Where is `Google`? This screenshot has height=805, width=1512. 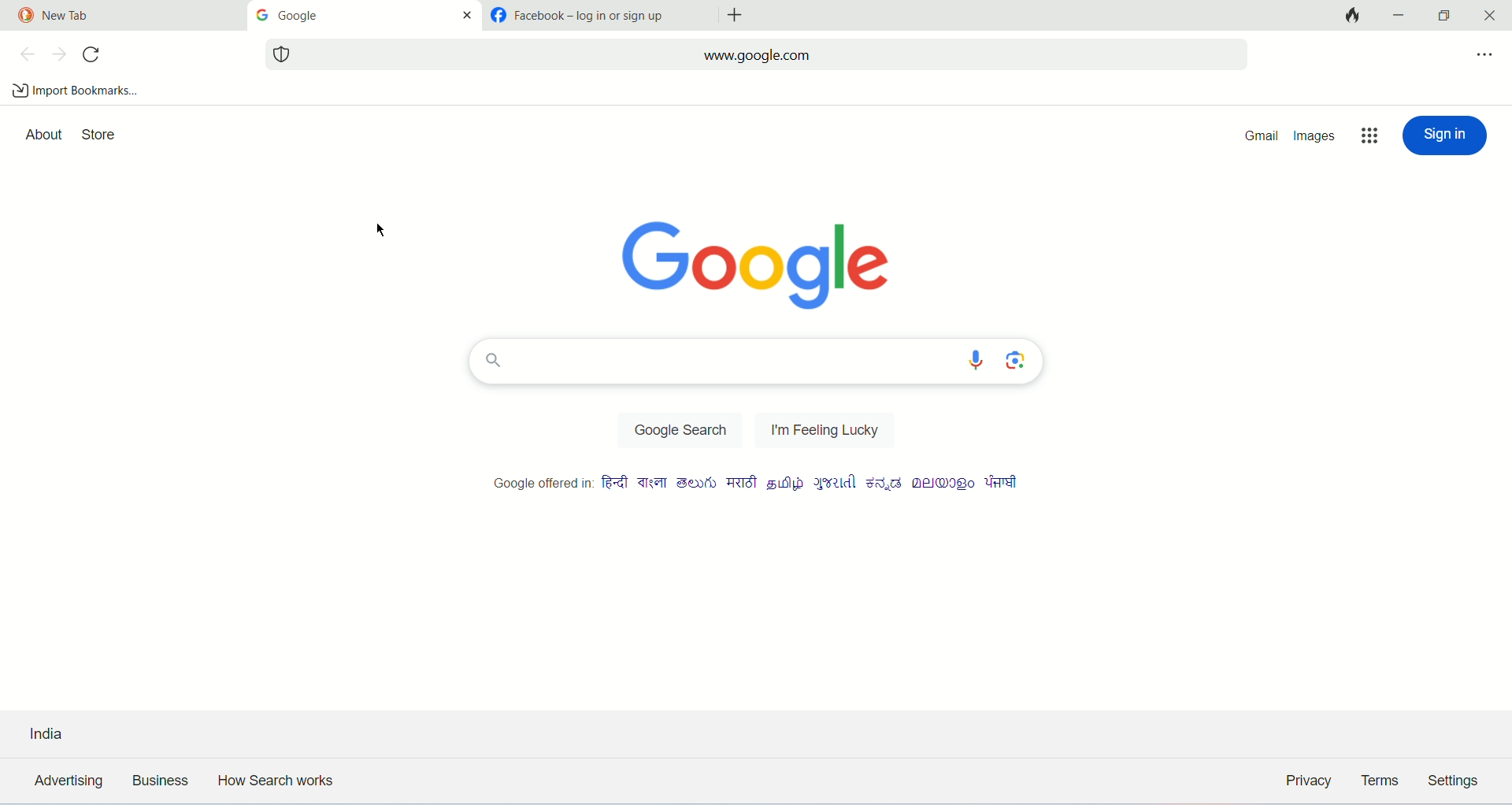
Google is located at coordinates (754, 262).